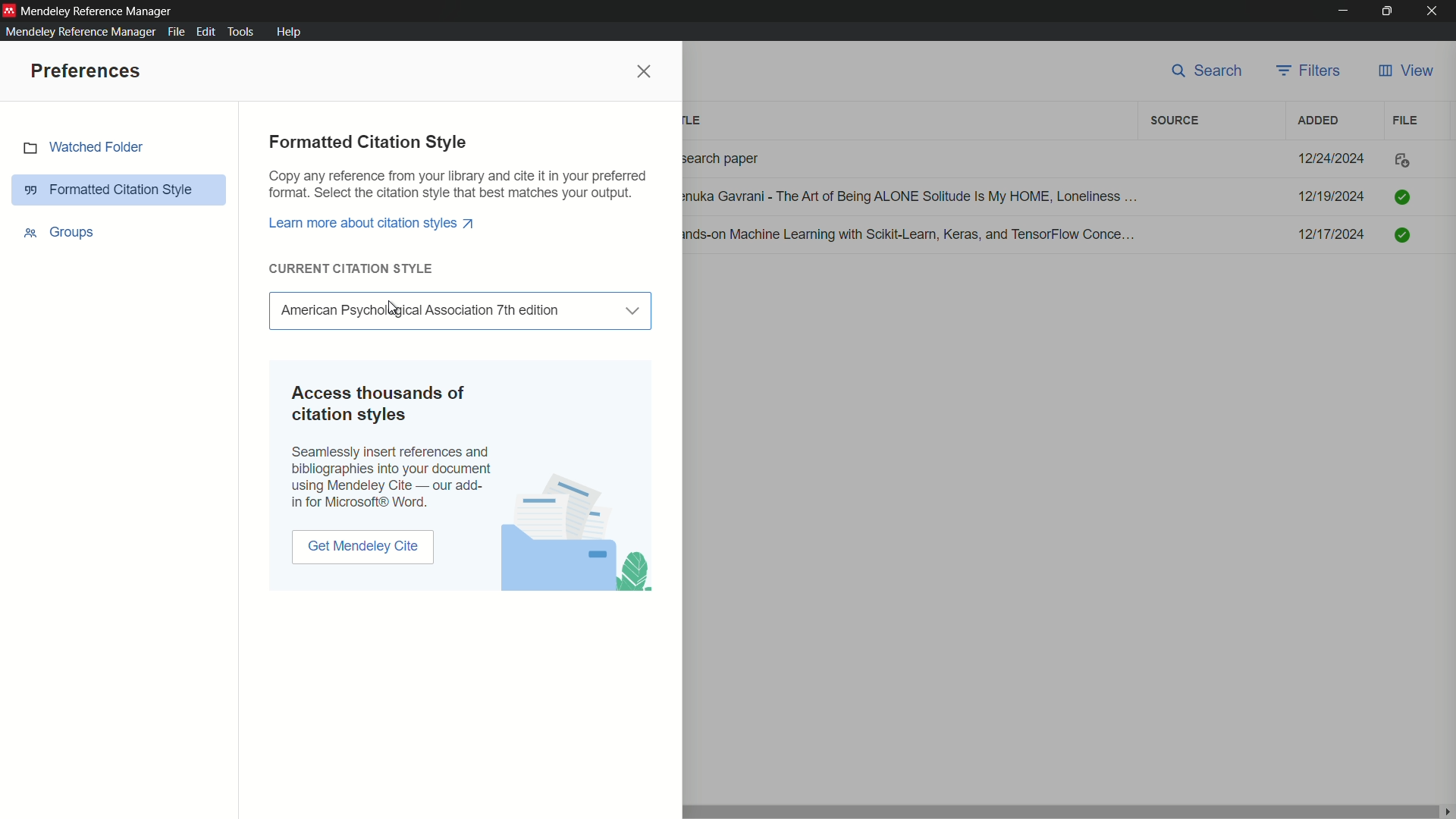 This screenshot has width=1456, height=819. What do you see at coordinates (1405, 71) in the screenshot?
I see `view` at bounding box center [1405, 71].